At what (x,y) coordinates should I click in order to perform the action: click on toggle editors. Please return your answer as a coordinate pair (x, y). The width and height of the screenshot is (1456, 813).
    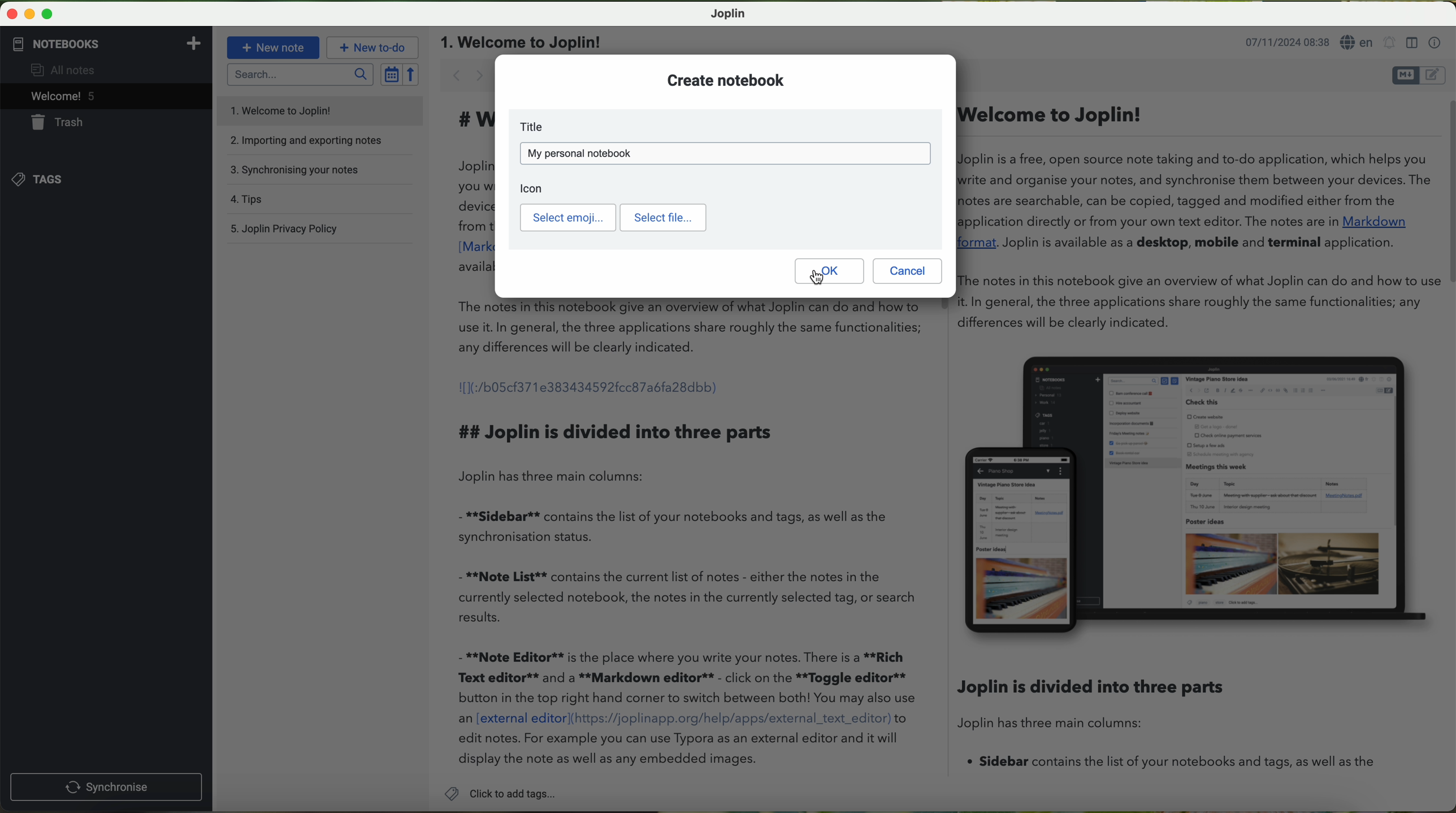
    Looking at the image, I should click on (1419, 76).